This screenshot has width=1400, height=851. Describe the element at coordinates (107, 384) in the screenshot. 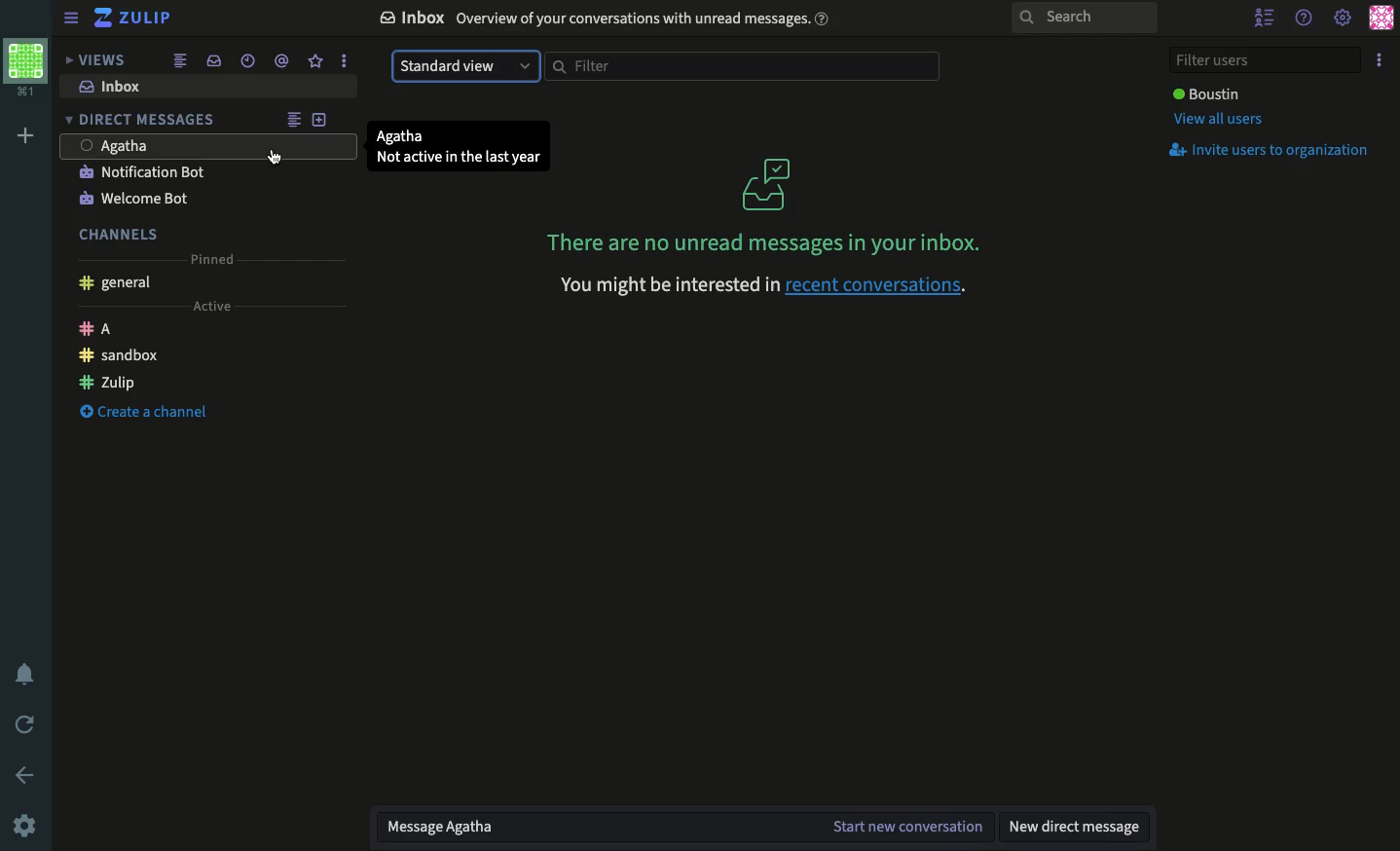

I see `Zulip` at that location.